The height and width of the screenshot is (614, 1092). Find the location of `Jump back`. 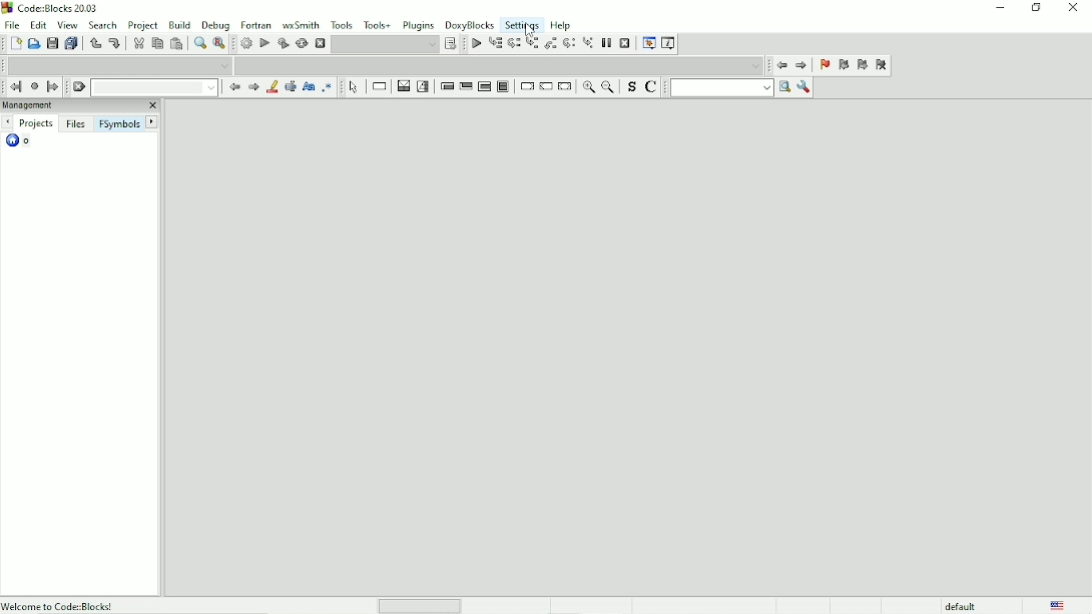

Jump back is located at coordinates (15, 86).